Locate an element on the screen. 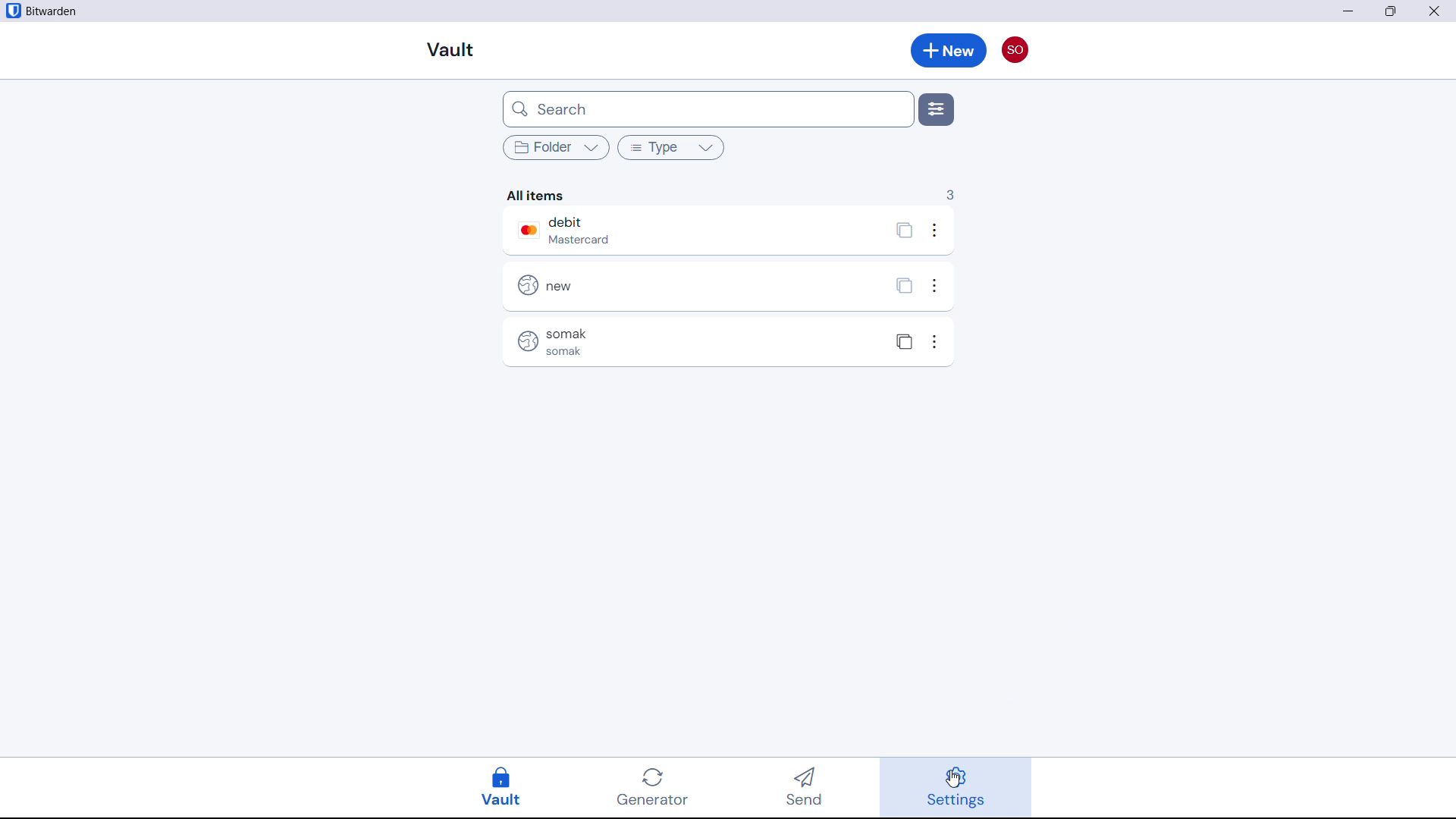  Vault  is located at coordinates (450, 50).